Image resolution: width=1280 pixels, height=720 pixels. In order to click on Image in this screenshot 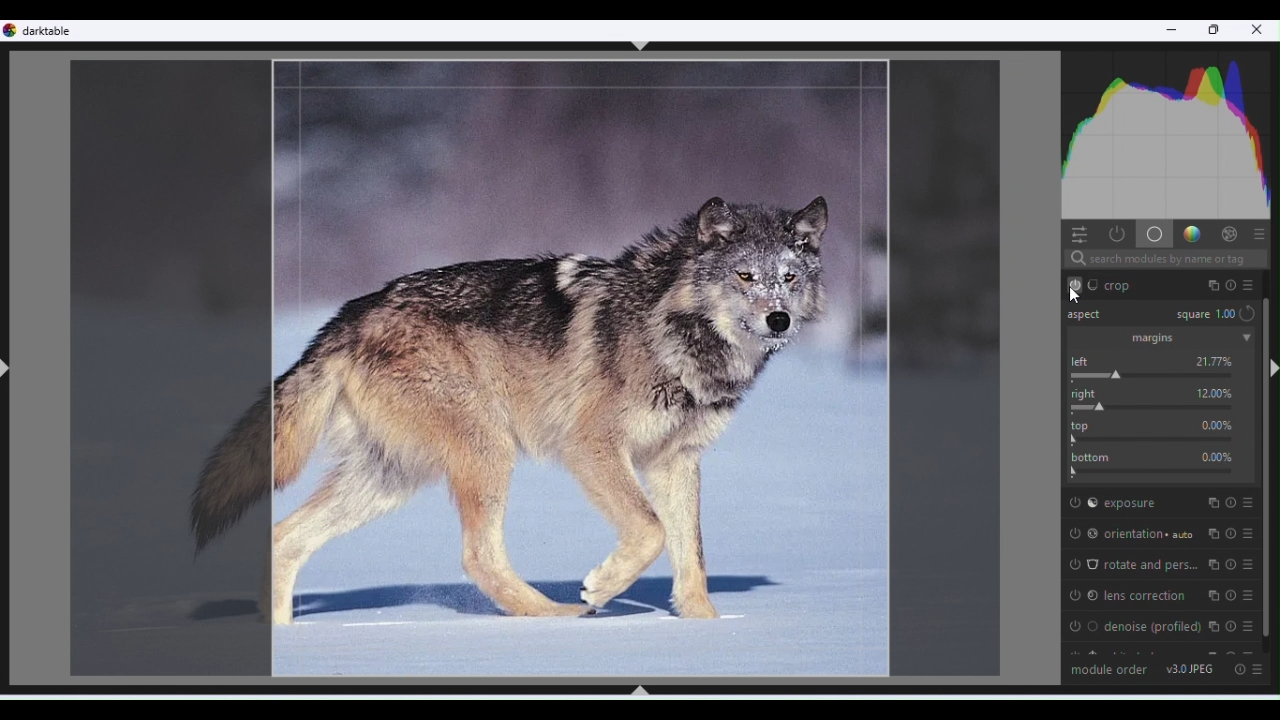, I will do `click(531, 368)`.